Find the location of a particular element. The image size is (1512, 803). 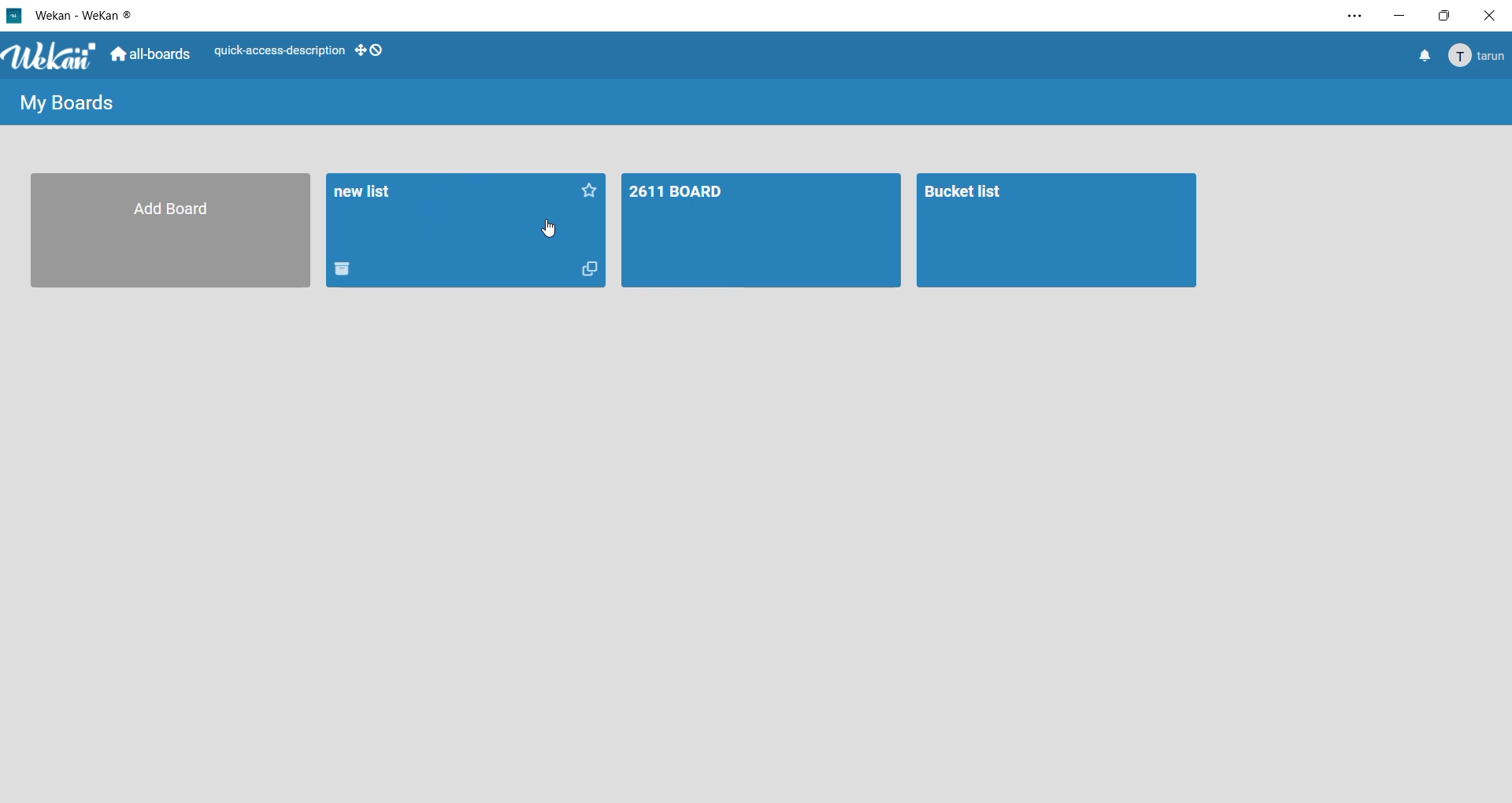

star board is located at coordinates (591, 194).